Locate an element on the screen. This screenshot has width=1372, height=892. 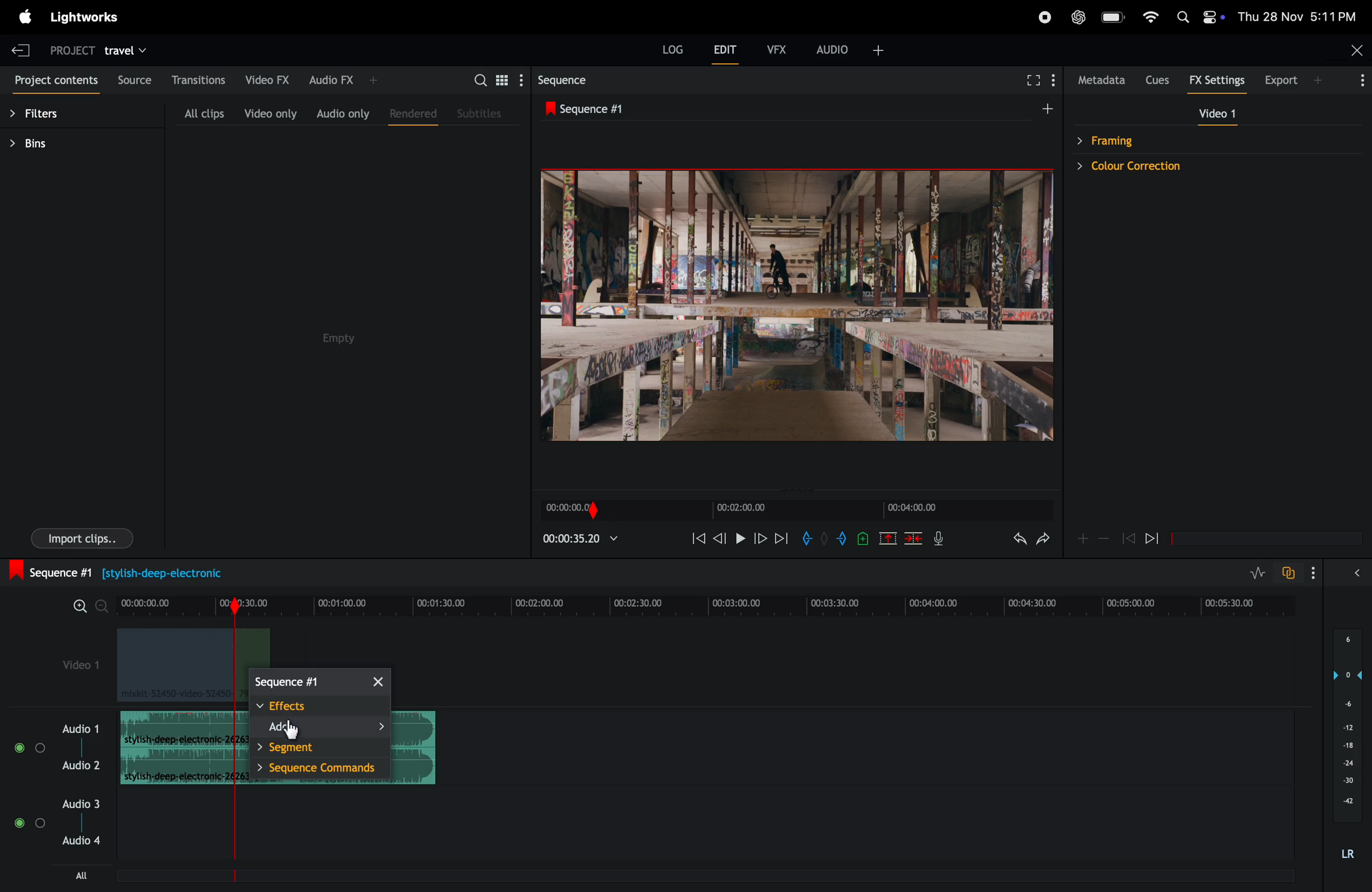
pause and play is located at coordinates (740, 537).